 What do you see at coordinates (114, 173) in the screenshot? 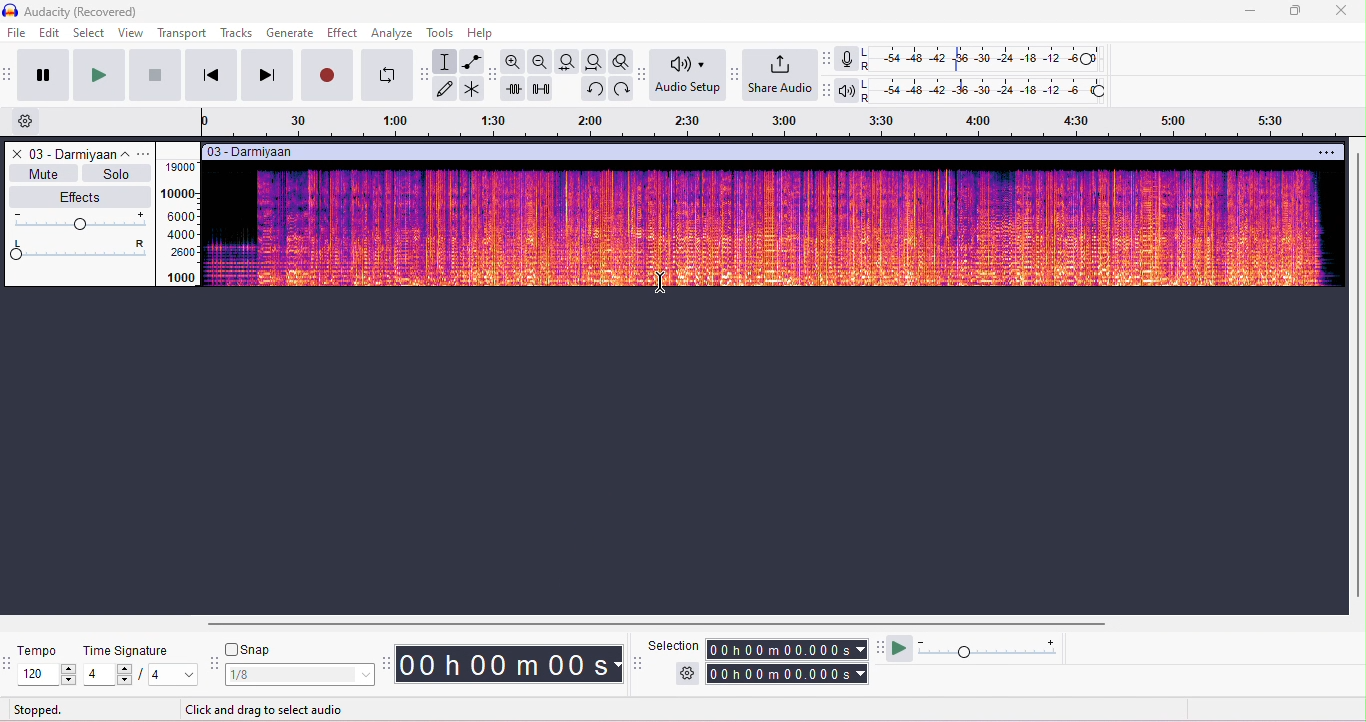
I see `solo` at bounding box center [114, 173].